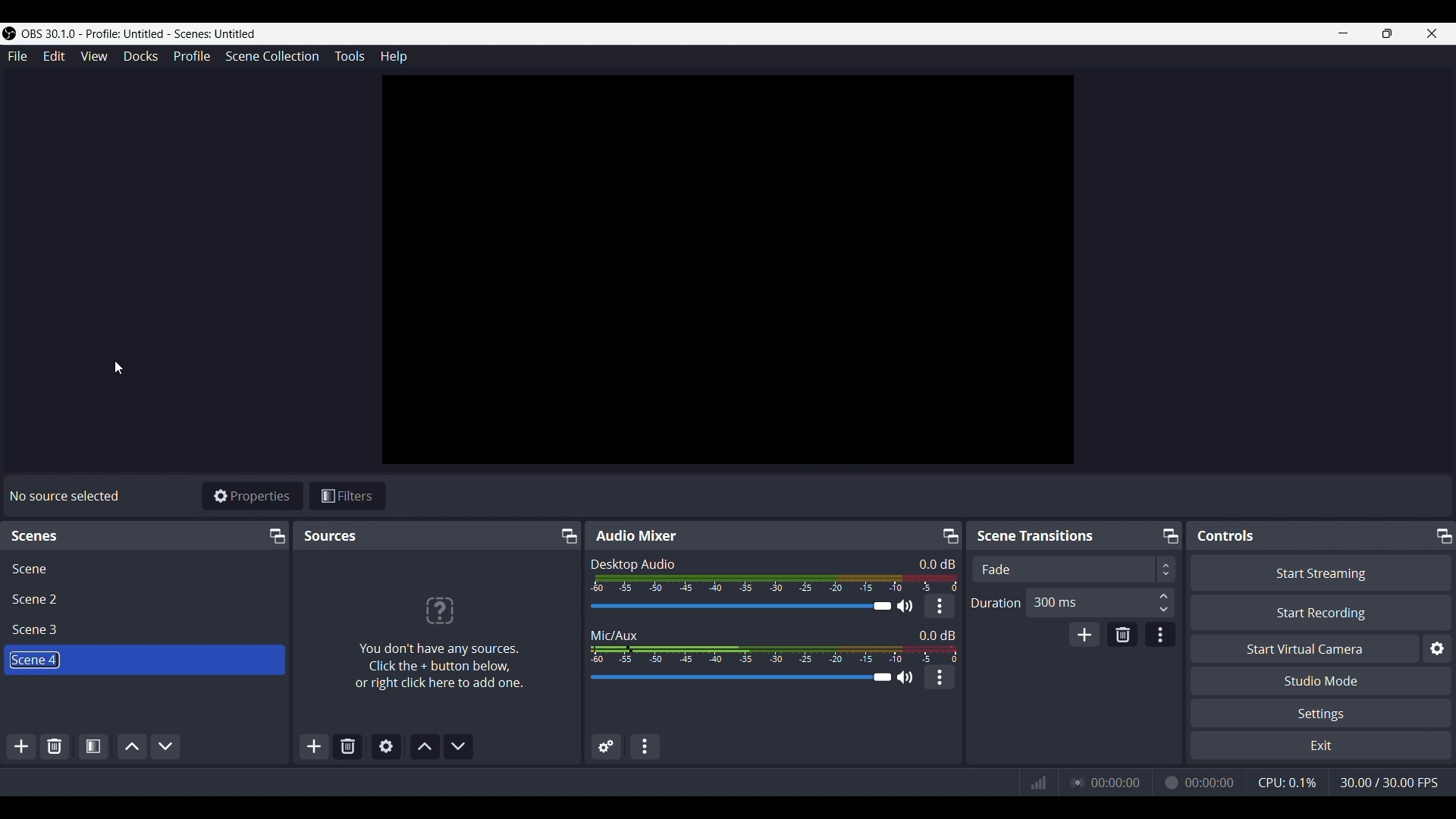 This screenshot has width=1456, height=819. What do you see at coordinates (1169, 783) in the screenshot?
I see `Recording Status Icon` at bounding box center [1169, 783].